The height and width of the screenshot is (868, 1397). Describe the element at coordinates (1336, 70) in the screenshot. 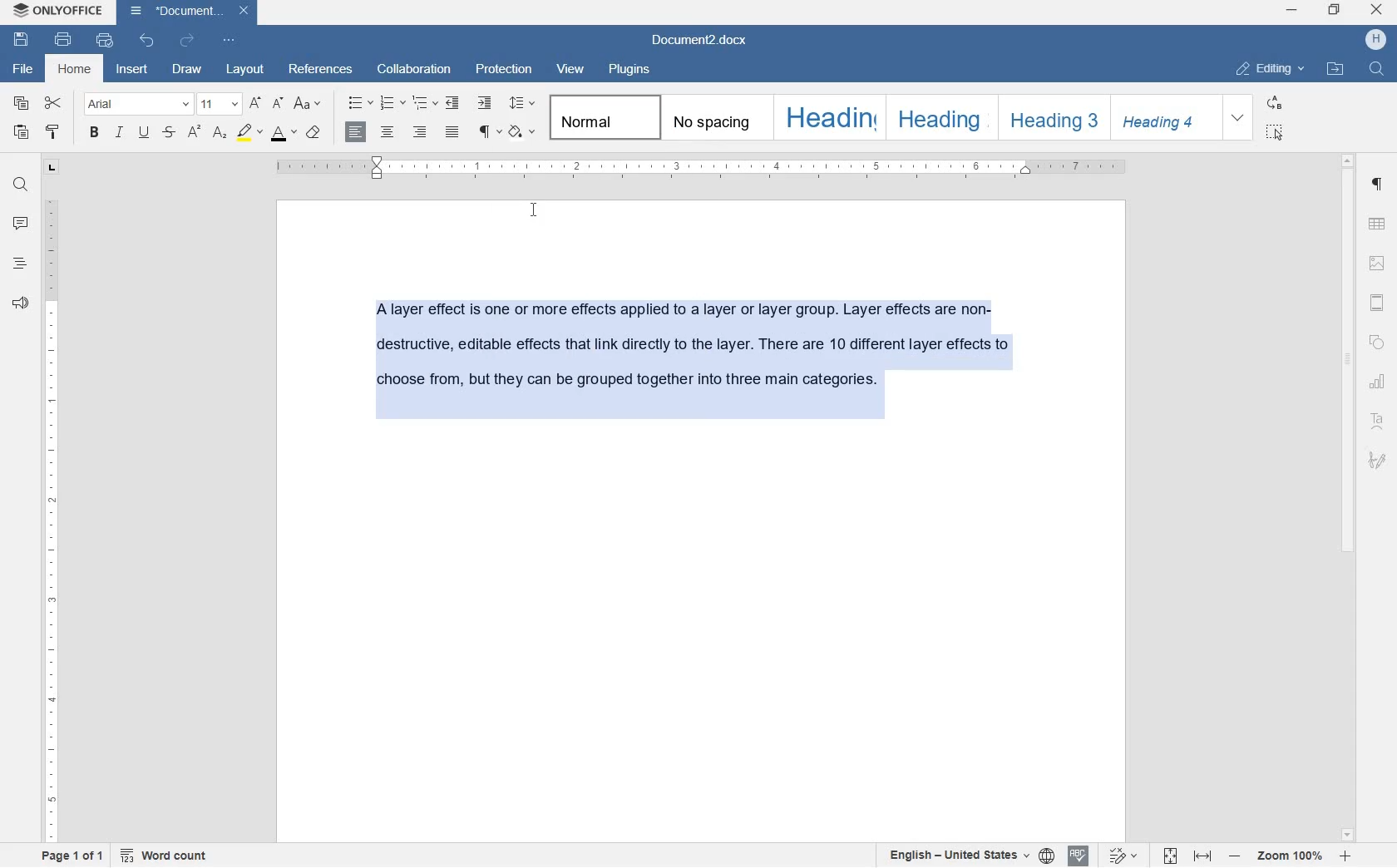

I see `open file location` at that location.